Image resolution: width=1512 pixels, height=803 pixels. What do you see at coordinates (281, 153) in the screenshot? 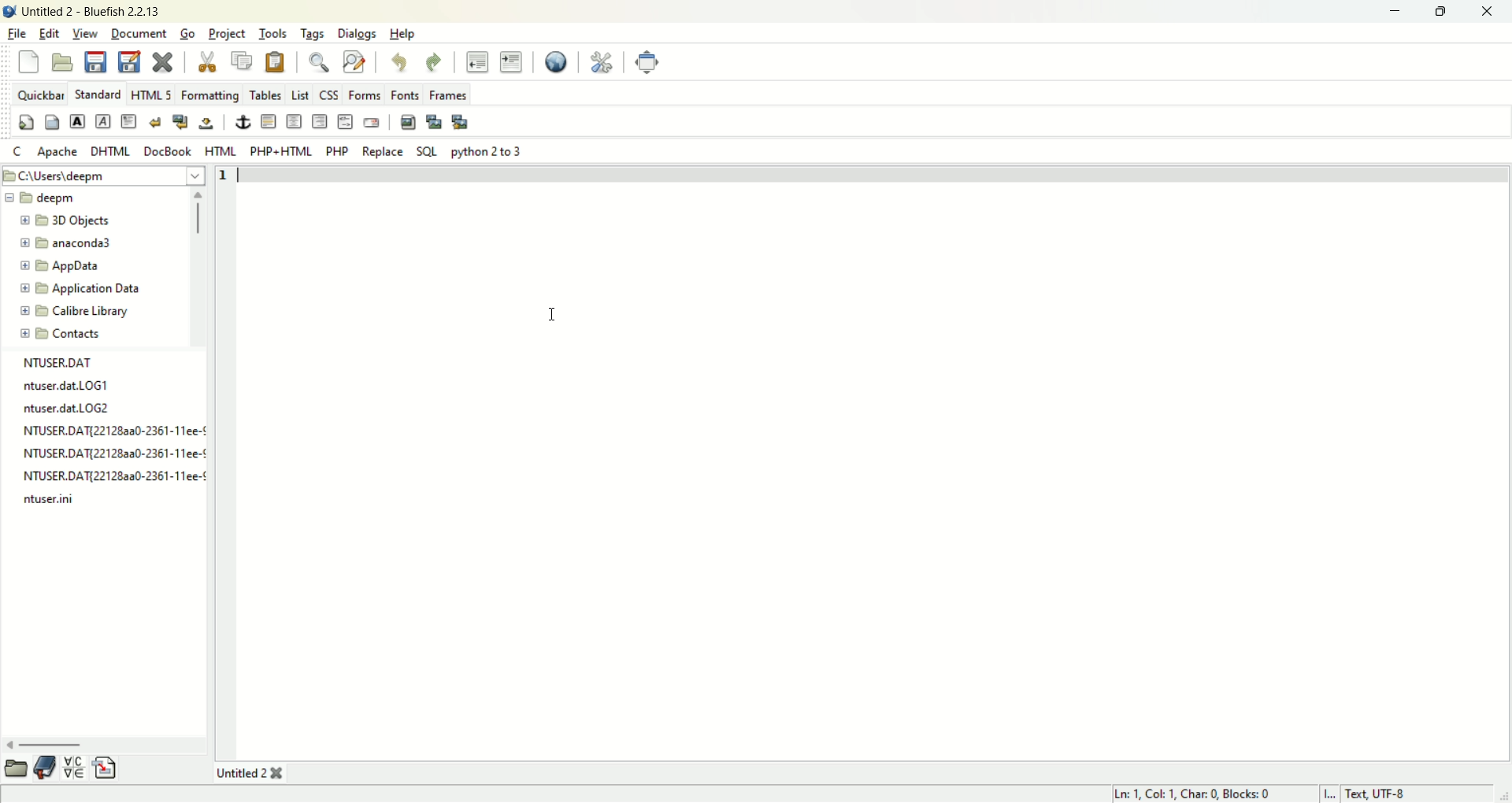
I see `PHP+HTML` at bounding box center [281, 153].